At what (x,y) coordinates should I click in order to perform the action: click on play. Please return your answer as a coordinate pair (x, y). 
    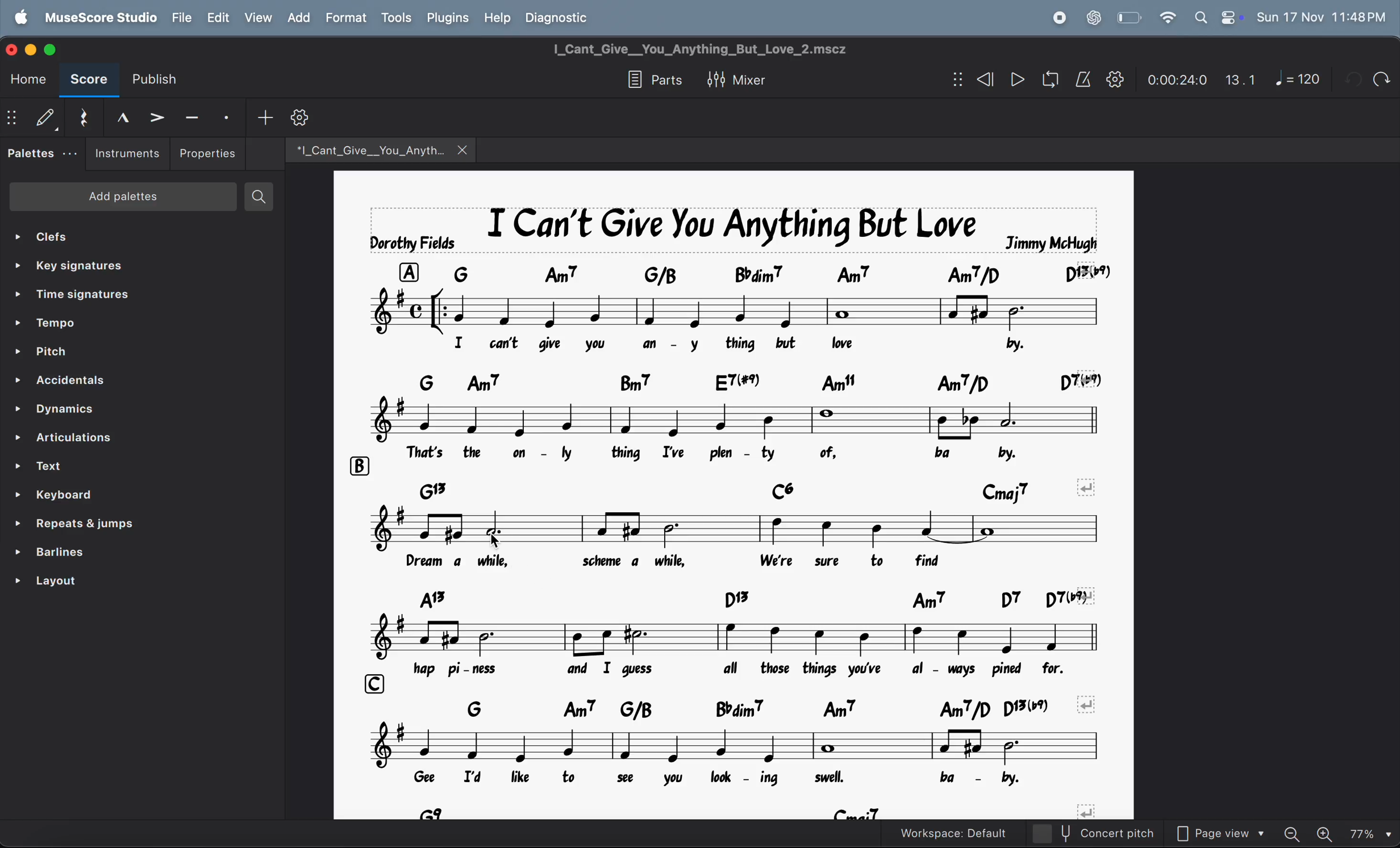
    Looking at the image, I should click on (1013, 79).